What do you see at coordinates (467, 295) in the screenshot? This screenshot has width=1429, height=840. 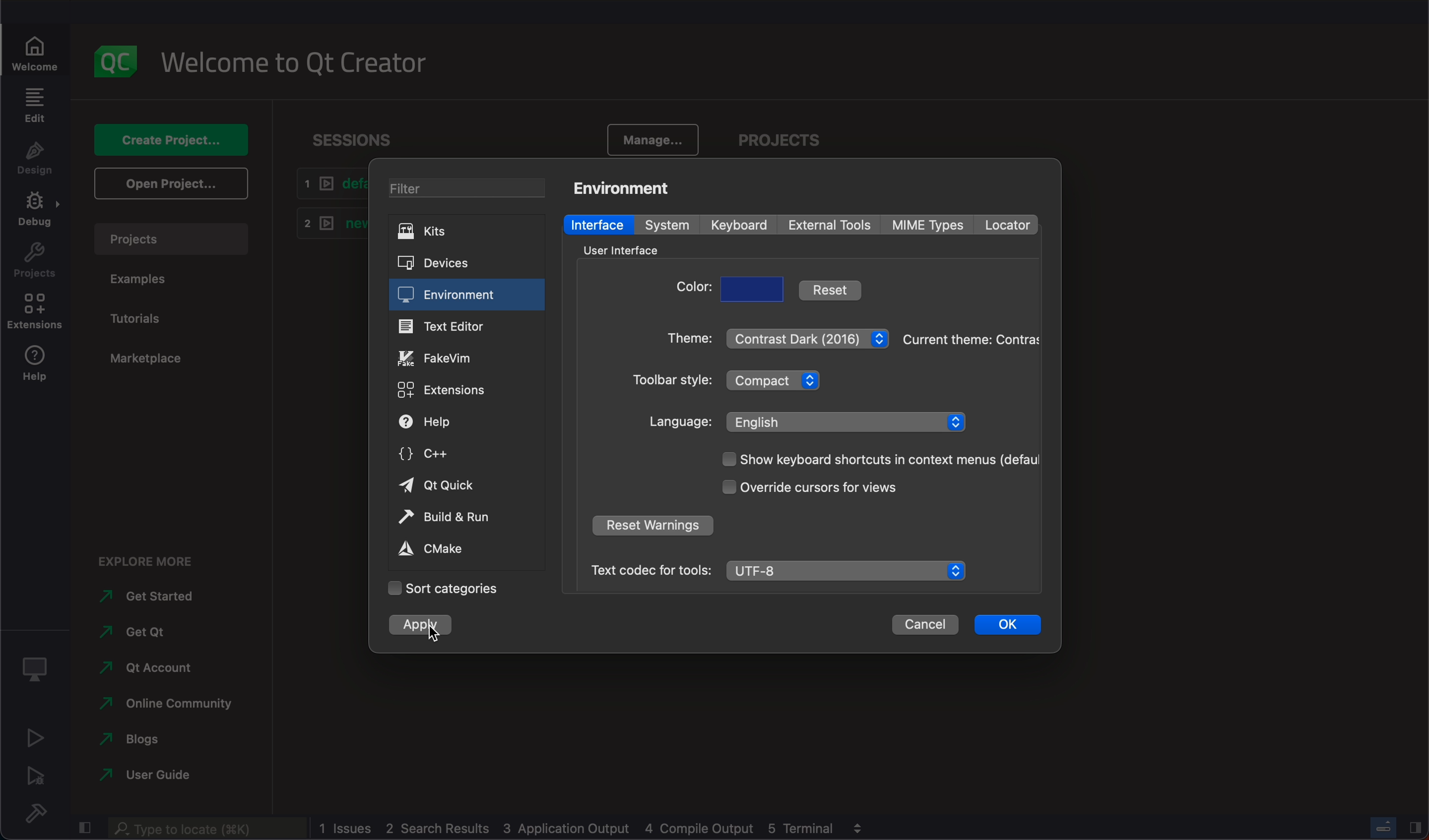 I see `environment` at bounding box center [467, 295].